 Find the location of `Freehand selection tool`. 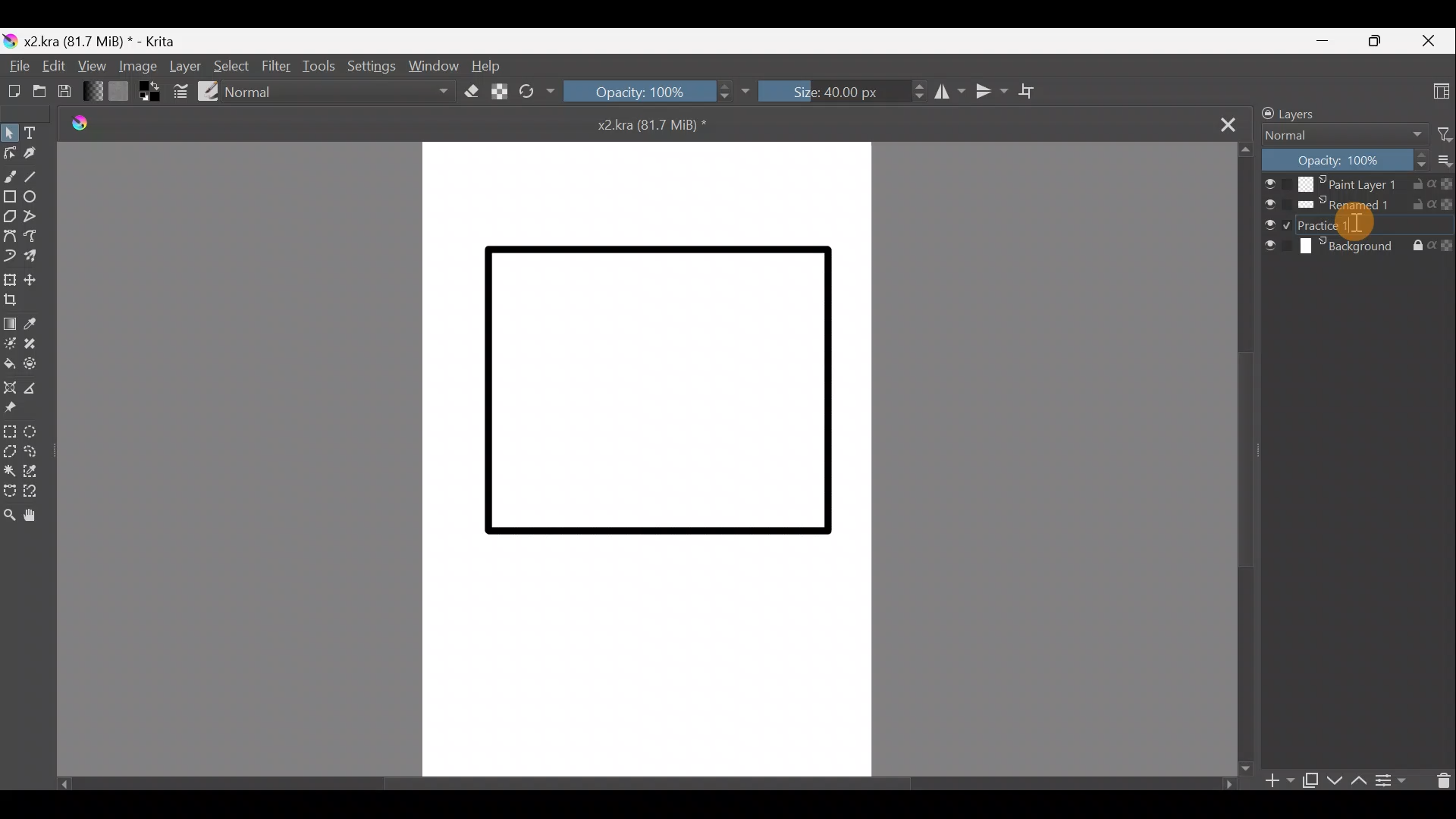

Freehand selection tool is located at coordinates (35, 451).